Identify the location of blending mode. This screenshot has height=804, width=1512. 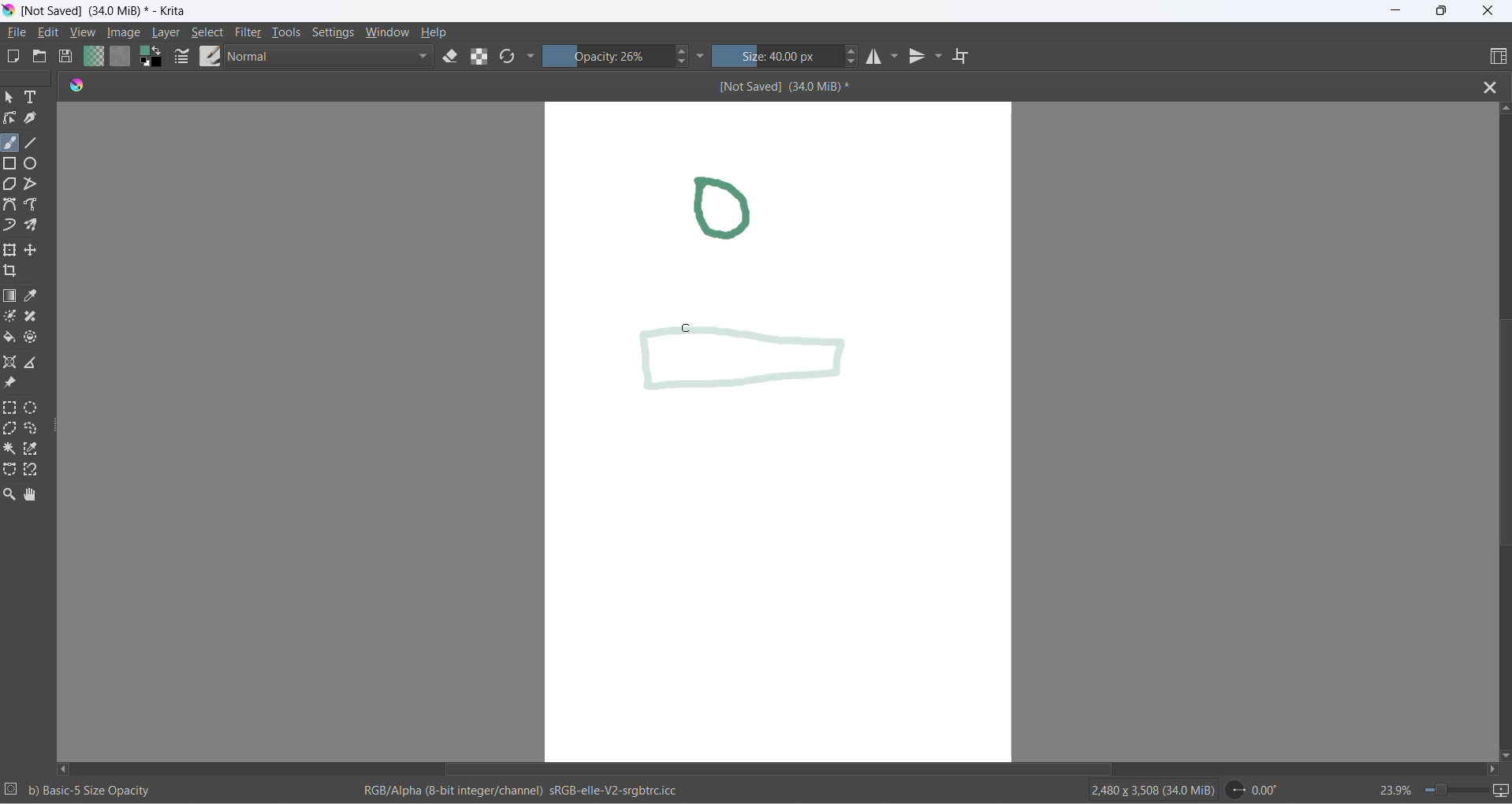
(333, 58).